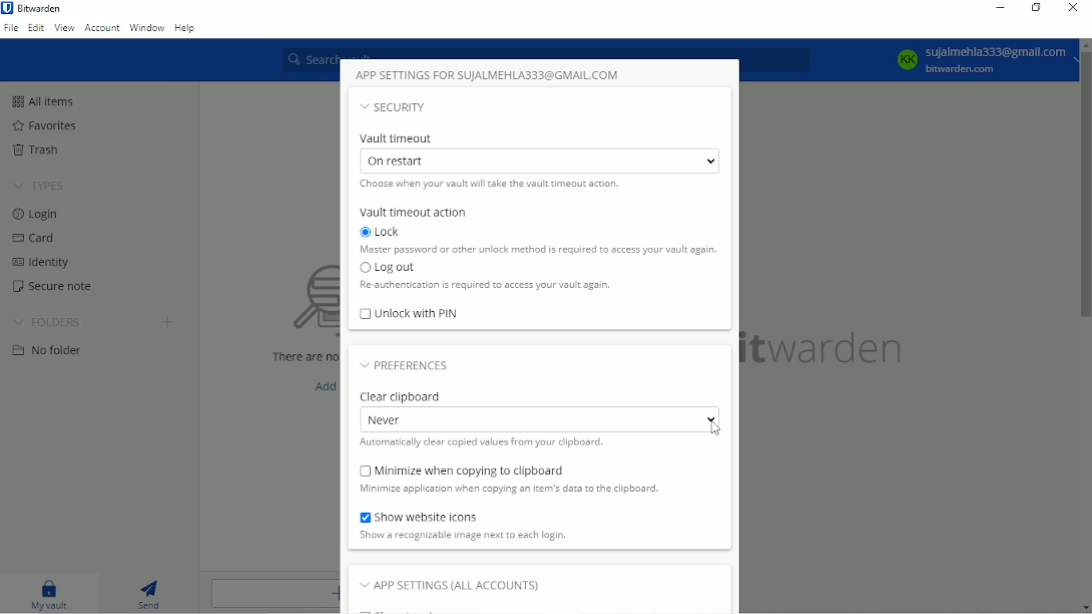 The image size is (1092, 614). Describe the element at coordinates (384, 232) in the screenshot. I see `Lock` at that location.